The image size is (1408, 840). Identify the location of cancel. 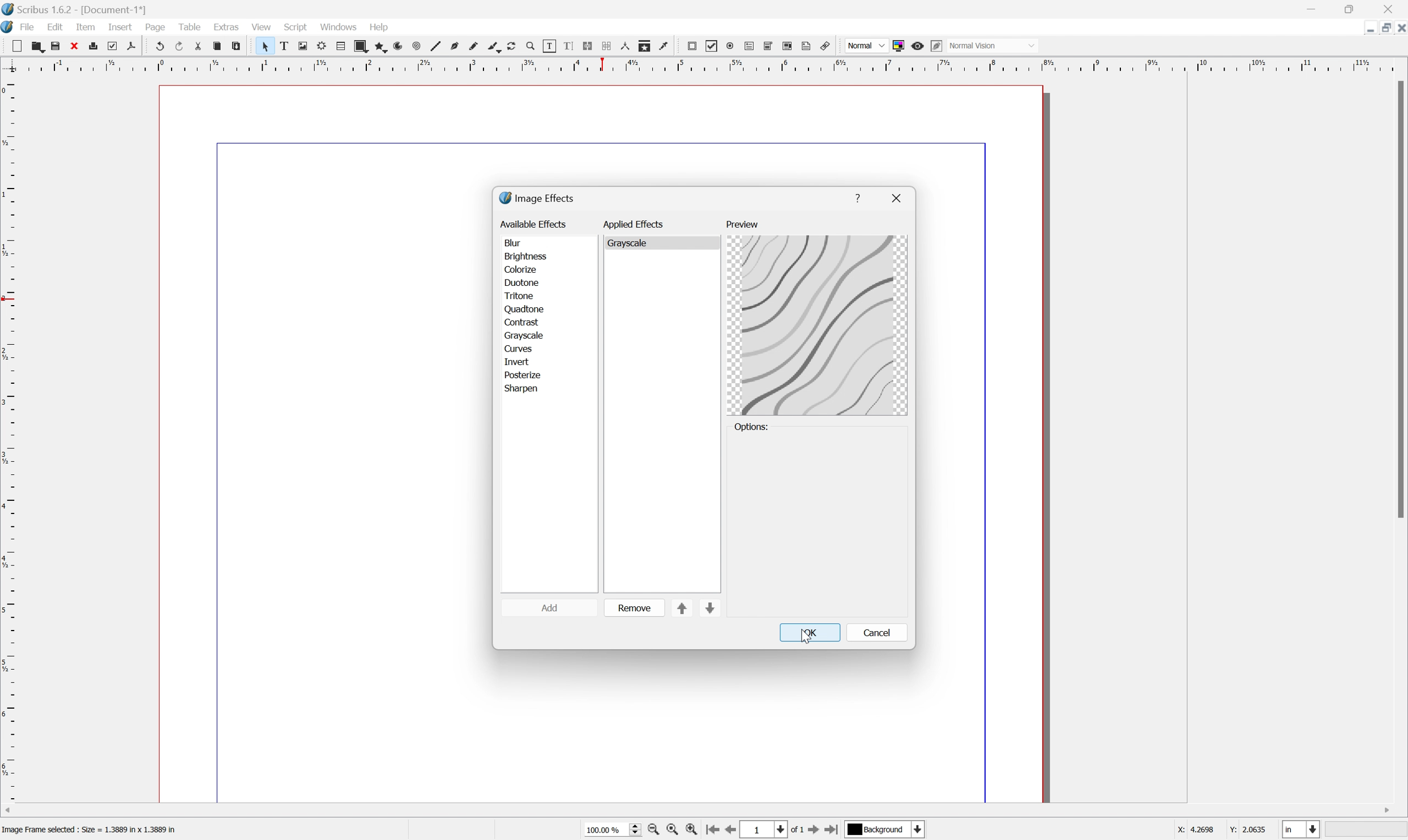
(878, 632).